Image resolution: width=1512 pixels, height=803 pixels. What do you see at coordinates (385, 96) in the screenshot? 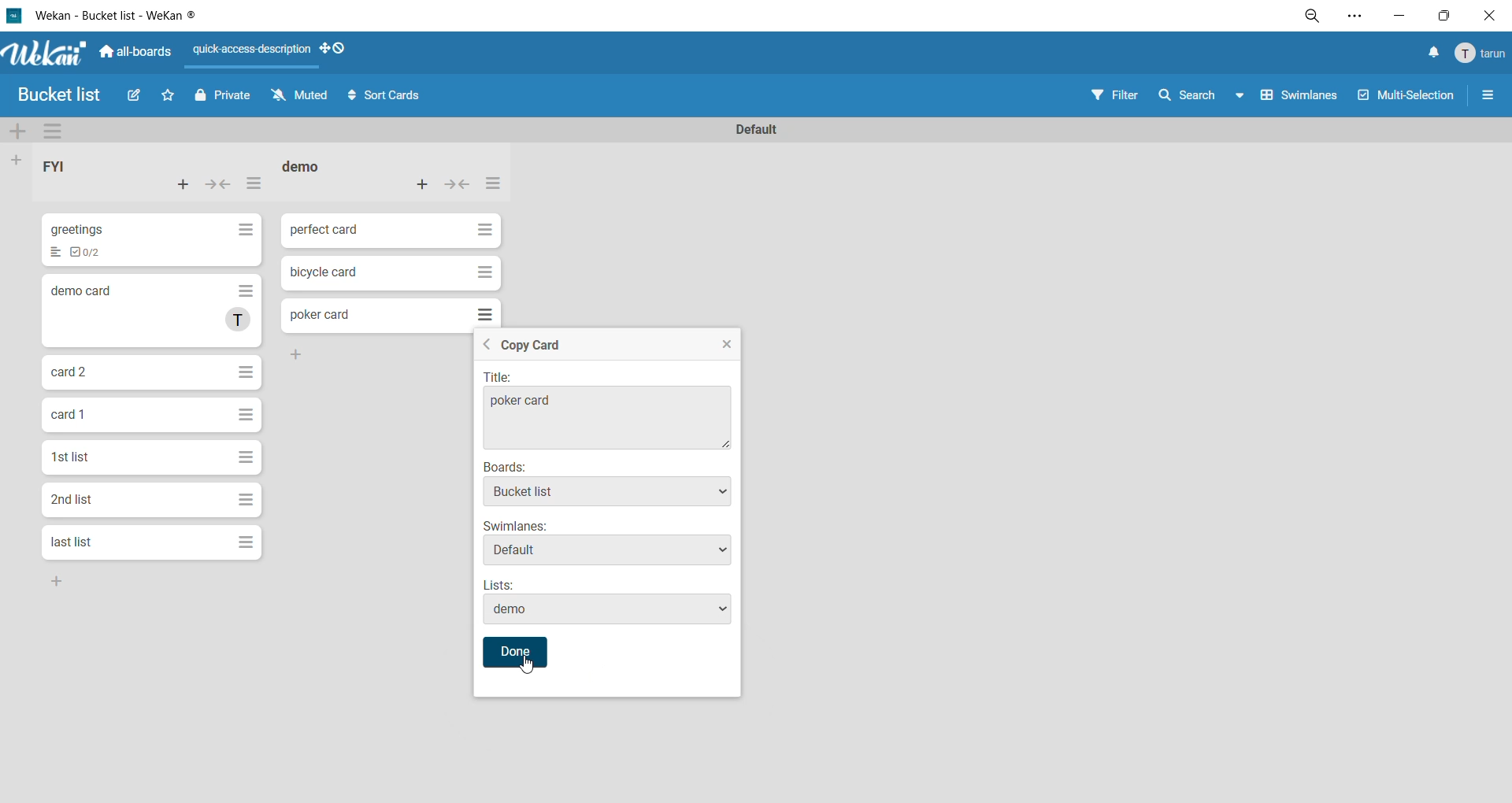
I see `sort cards` at bounding box center [385, 96].